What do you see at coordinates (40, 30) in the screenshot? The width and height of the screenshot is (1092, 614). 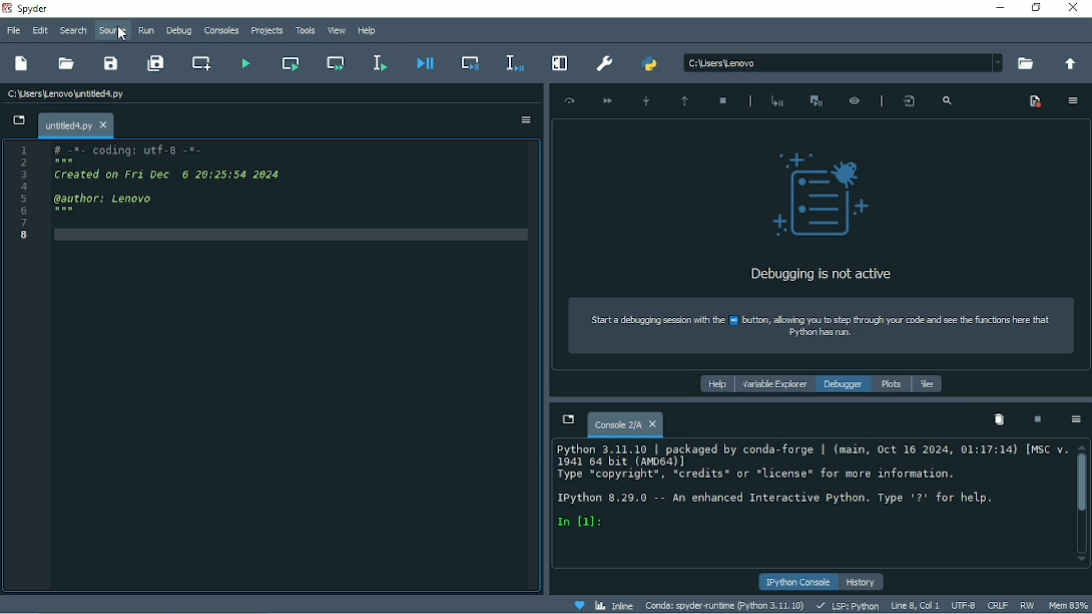 I see `Edit` at bounding box center [40, 30].